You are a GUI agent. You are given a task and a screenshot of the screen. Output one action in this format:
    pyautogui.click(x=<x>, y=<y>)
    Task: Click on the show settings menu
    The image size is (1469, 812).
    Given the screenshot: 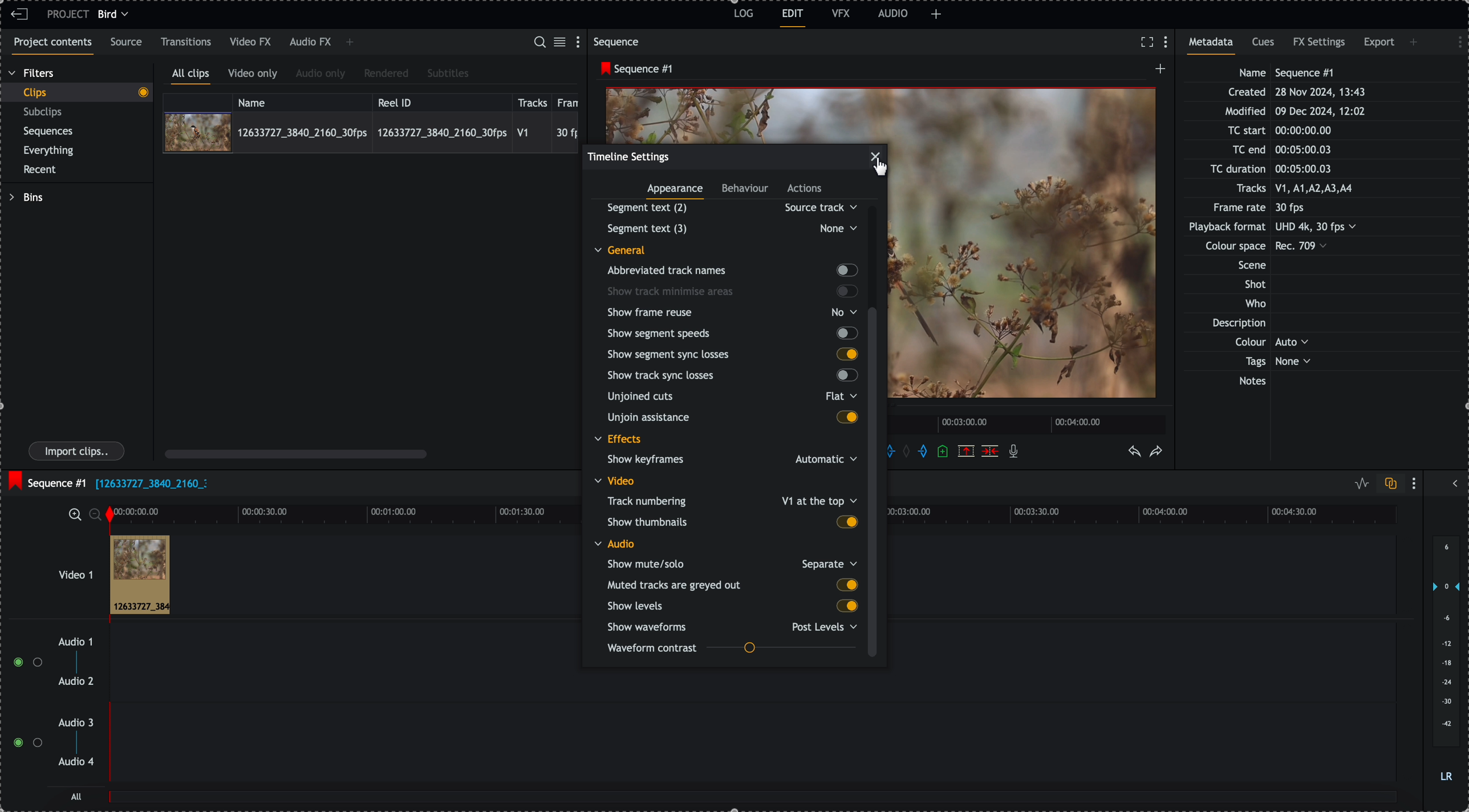 What is the action you would take?
    pyautogui.click(x=1417, y=483)
    